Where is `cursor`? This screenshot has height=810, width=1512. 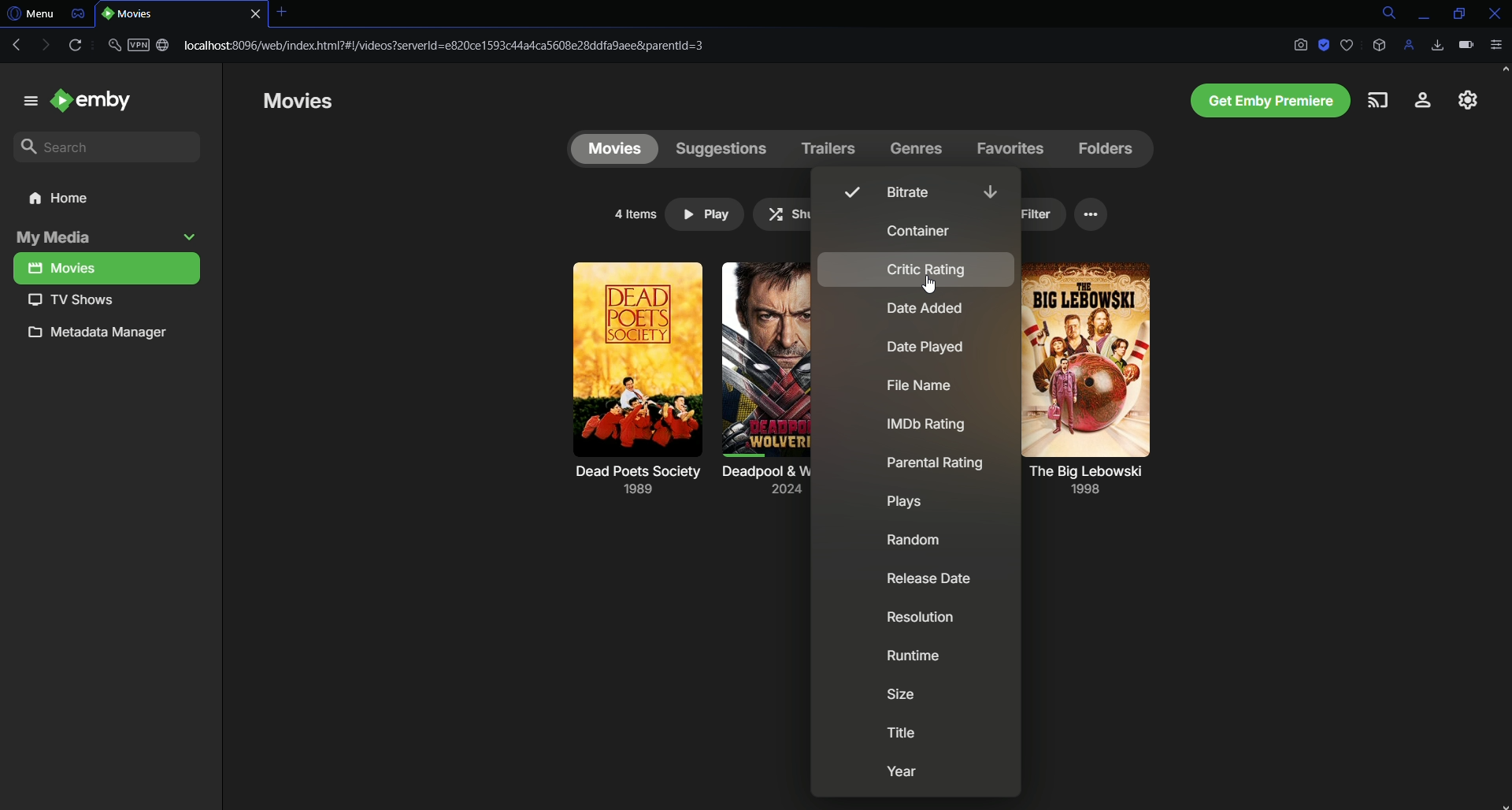 cursor is located at coordinates (929, 284).